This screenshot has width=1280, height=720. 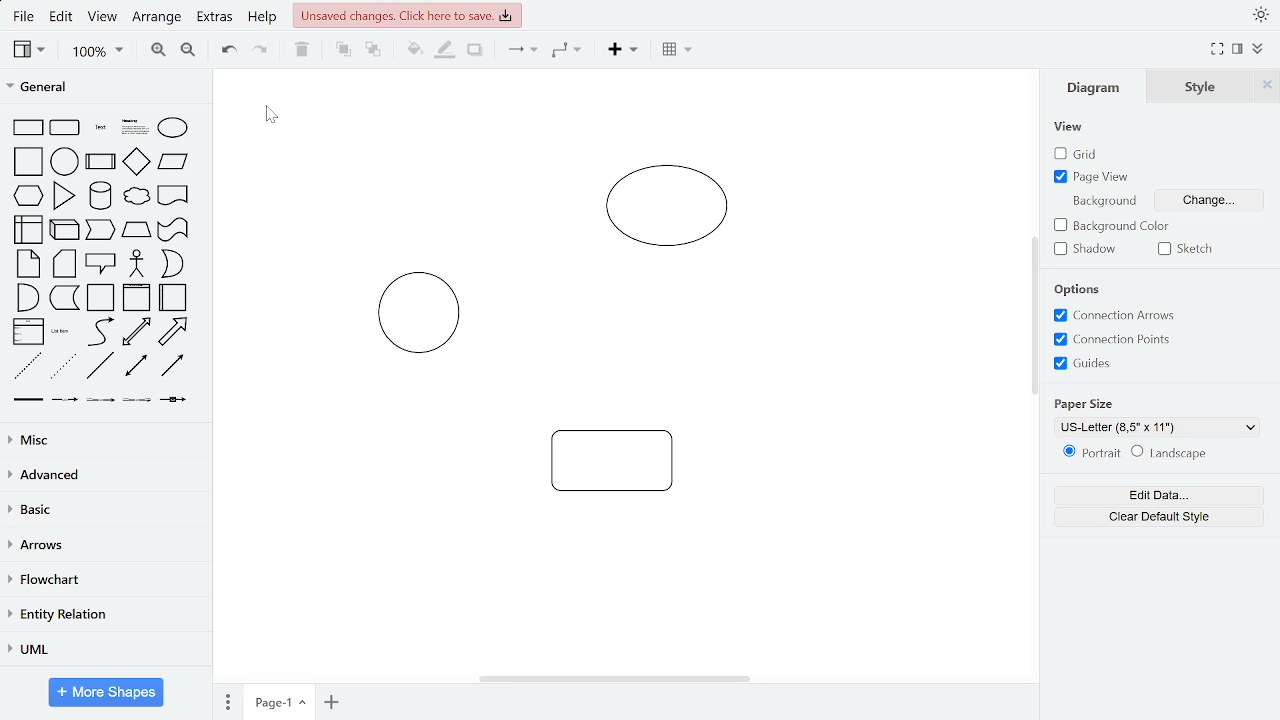 What do you see at coordinates (99, 332) in the screenshot?
I see `curve` at bounding box center [99, 332].